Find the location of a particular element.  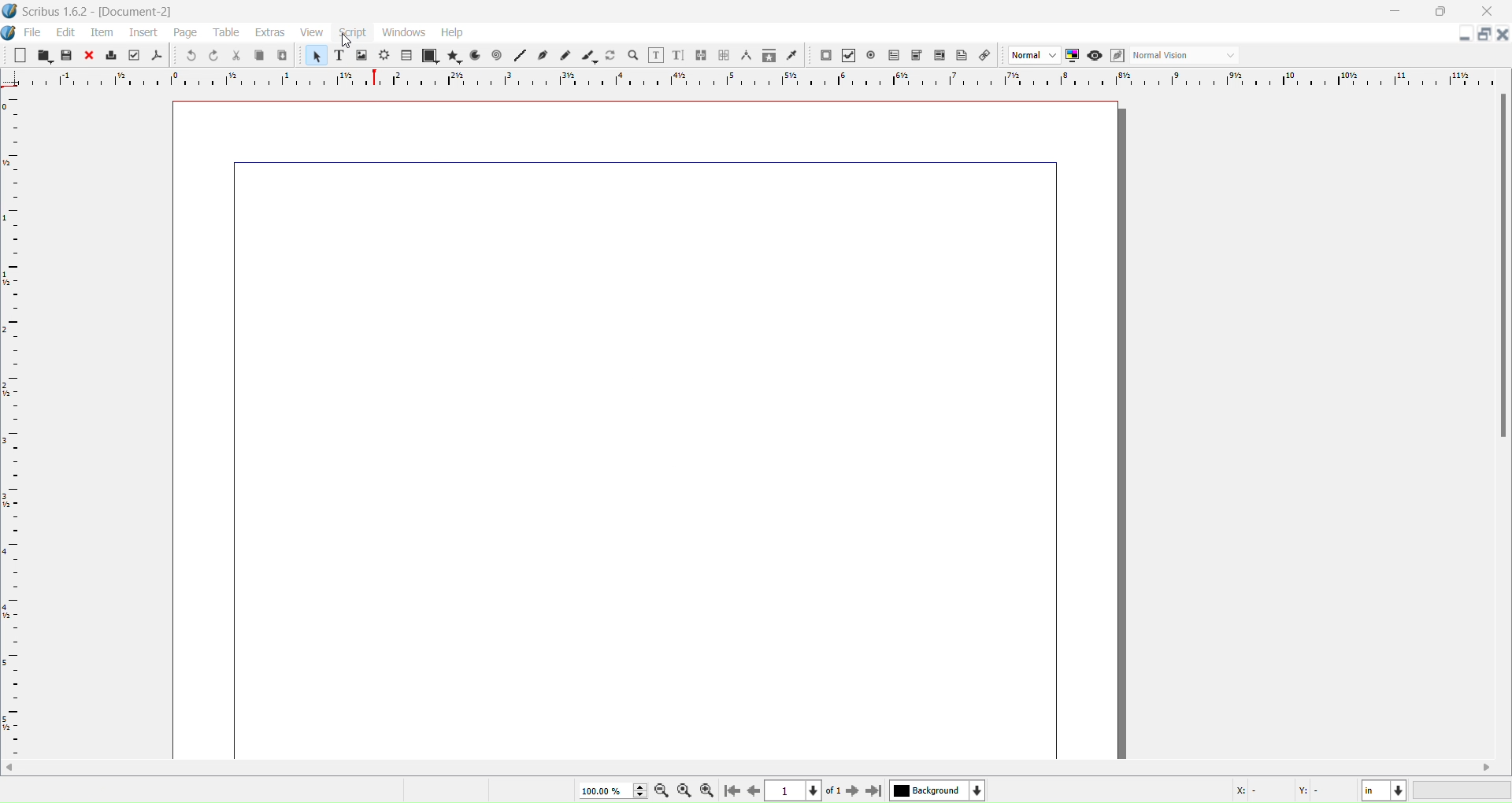

New is located at coordinates (18, 57).